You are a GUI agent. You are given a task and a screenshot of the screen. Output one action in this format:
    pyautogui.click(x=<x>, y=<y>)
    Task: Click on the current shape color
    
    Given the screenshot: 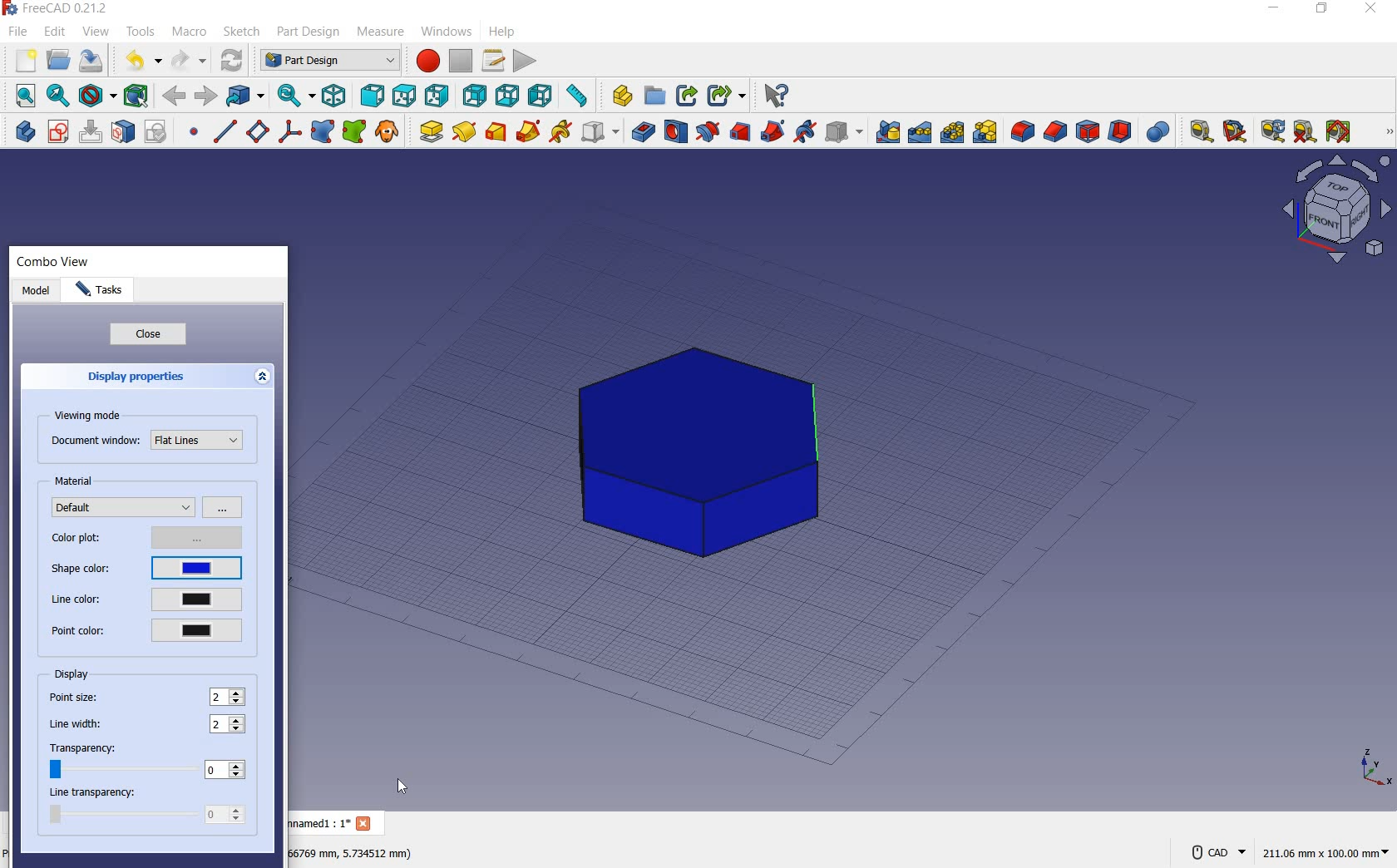 What is the action you would take?
    pyautogui.click(x=196, y=568)
    